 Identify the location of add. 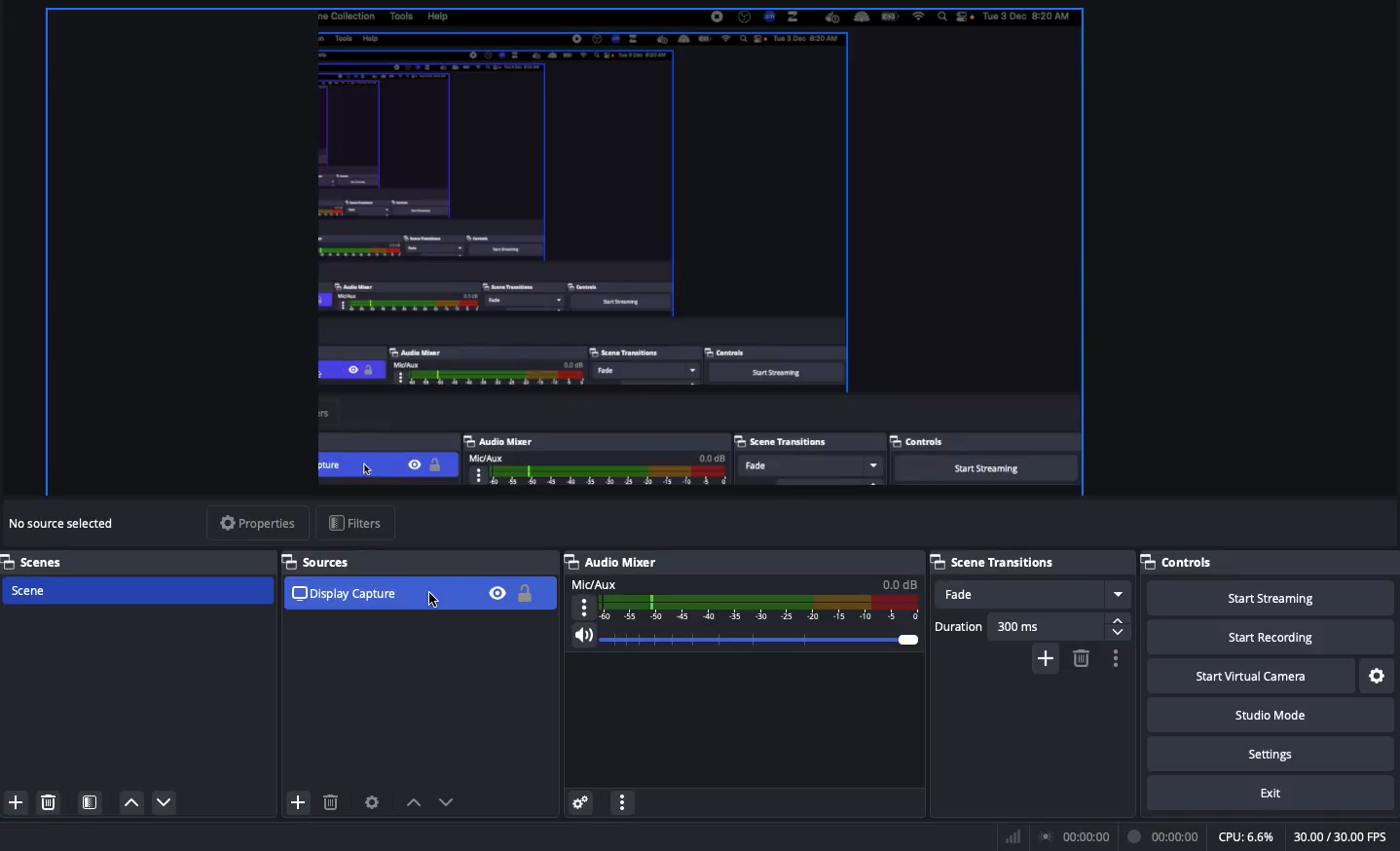
(1043, 661).